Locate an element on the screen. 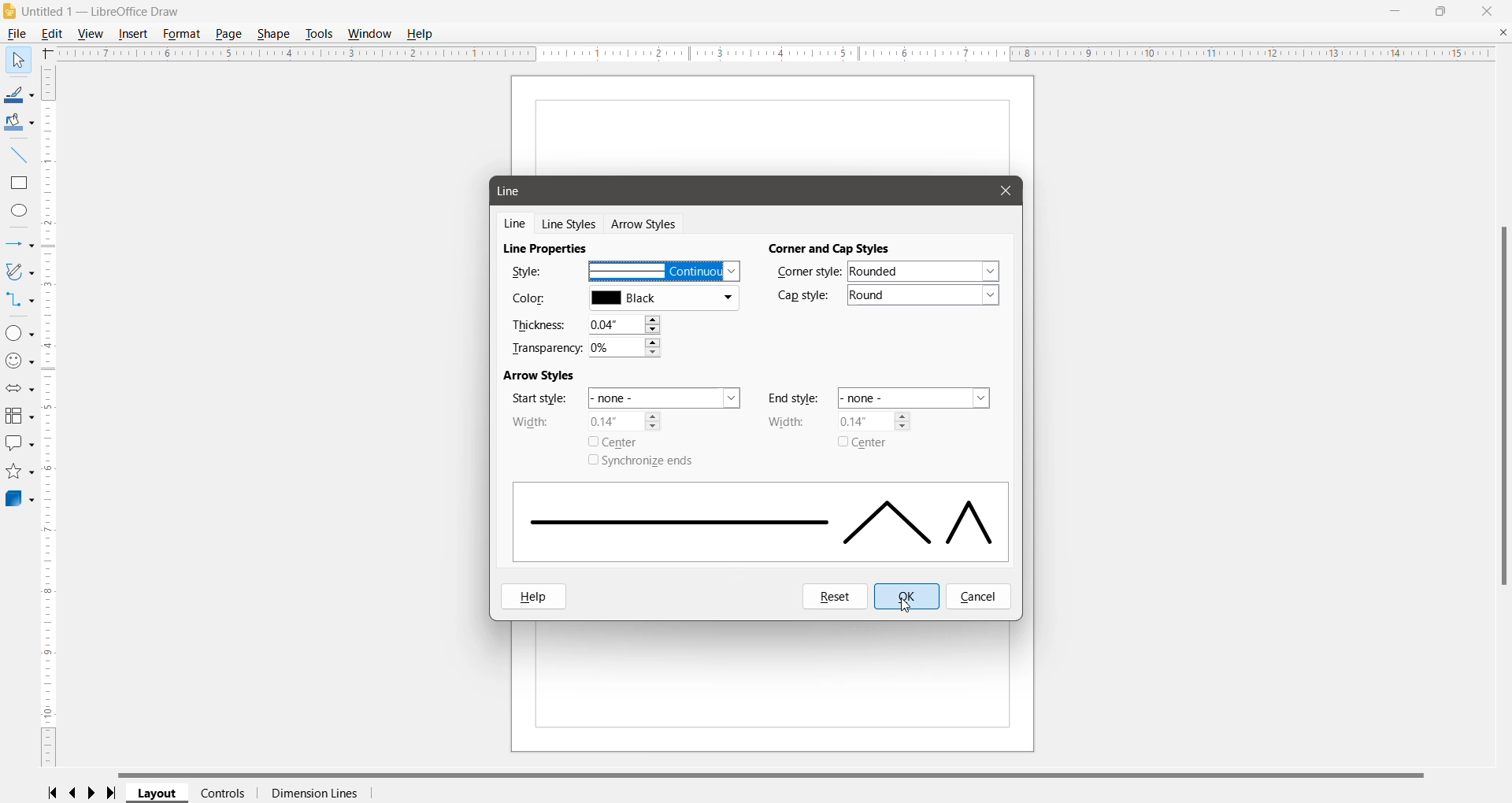 This screenshot has width=1512, height=803. Arrow Styles is located at coordinates (645, 225).